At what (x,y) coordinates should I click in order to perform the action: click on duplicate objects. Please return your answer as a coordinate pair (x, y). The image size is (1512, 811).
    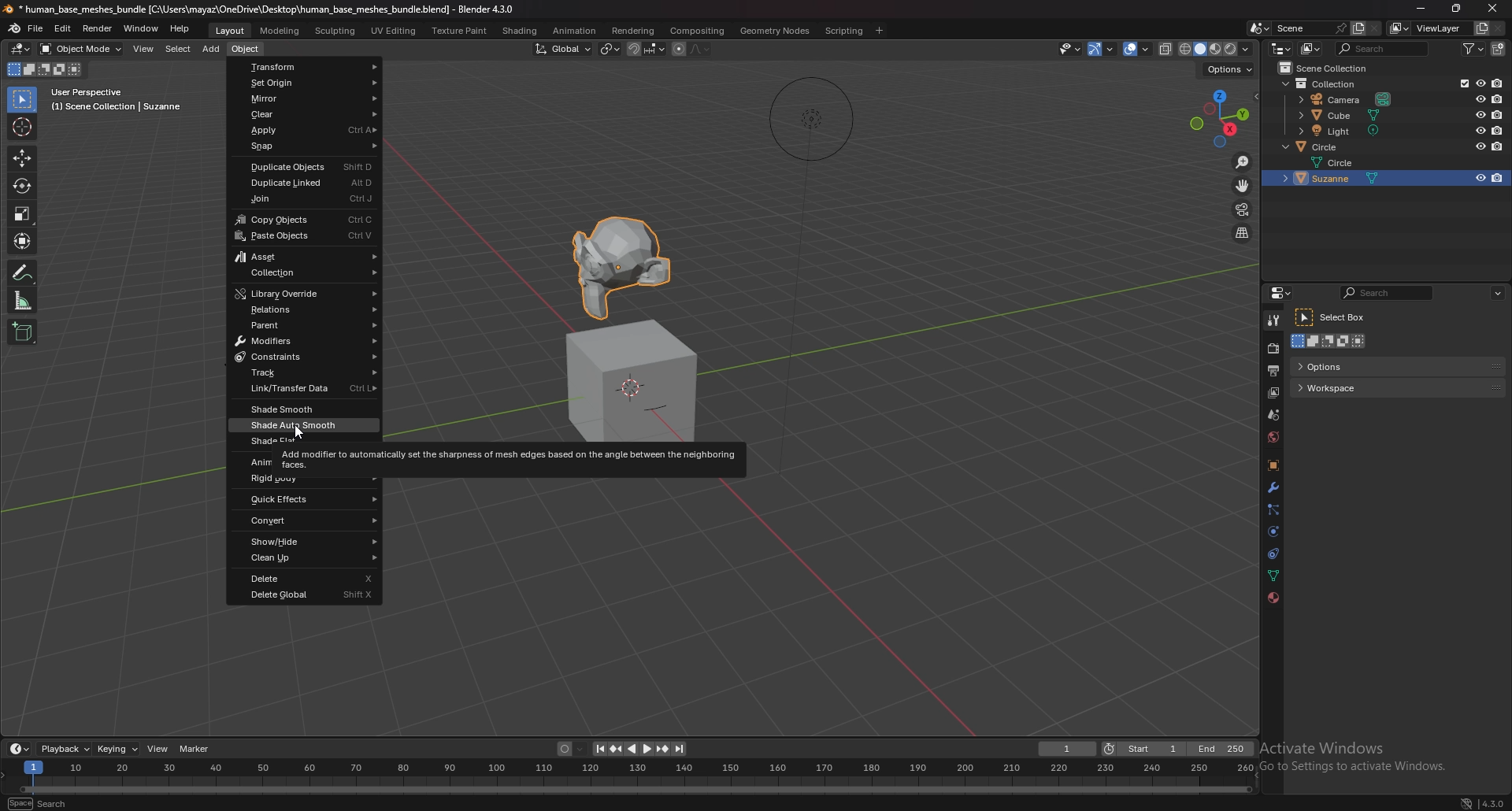
    Looking at the image, I should click on (301, 165).